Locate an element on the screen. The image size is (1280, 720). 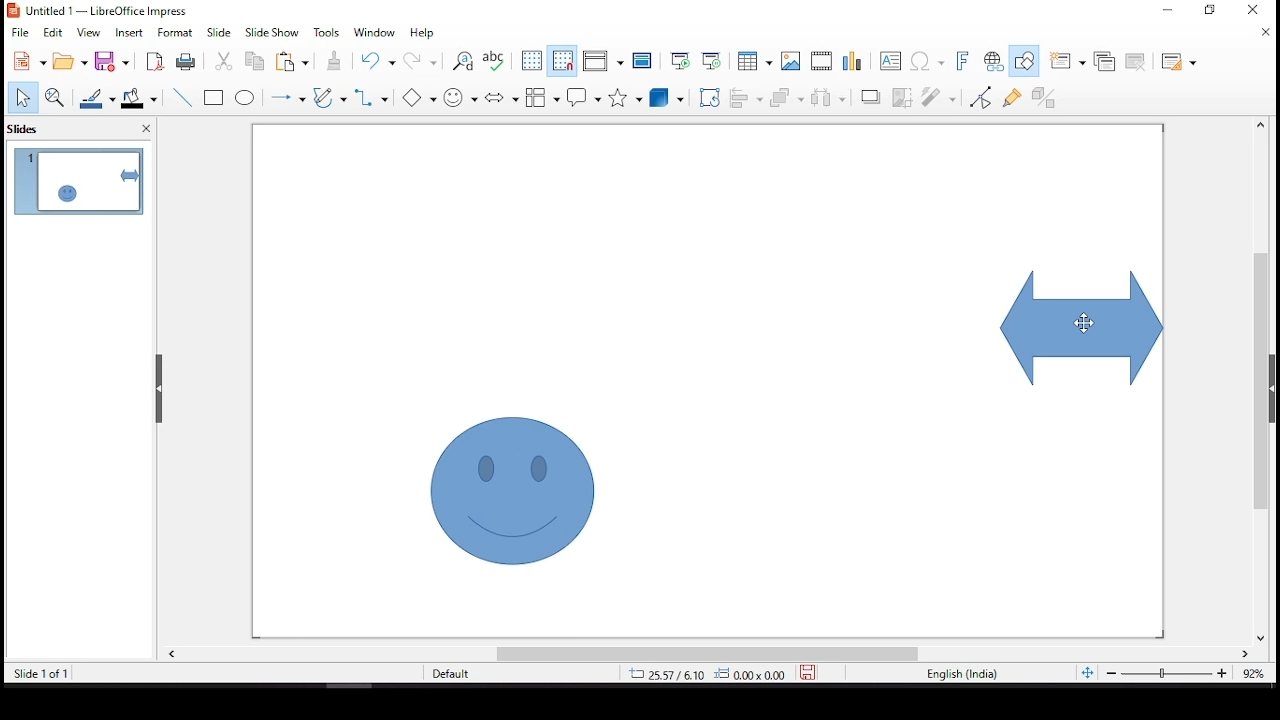
insert audio or video is located at coordinates (823, 61).